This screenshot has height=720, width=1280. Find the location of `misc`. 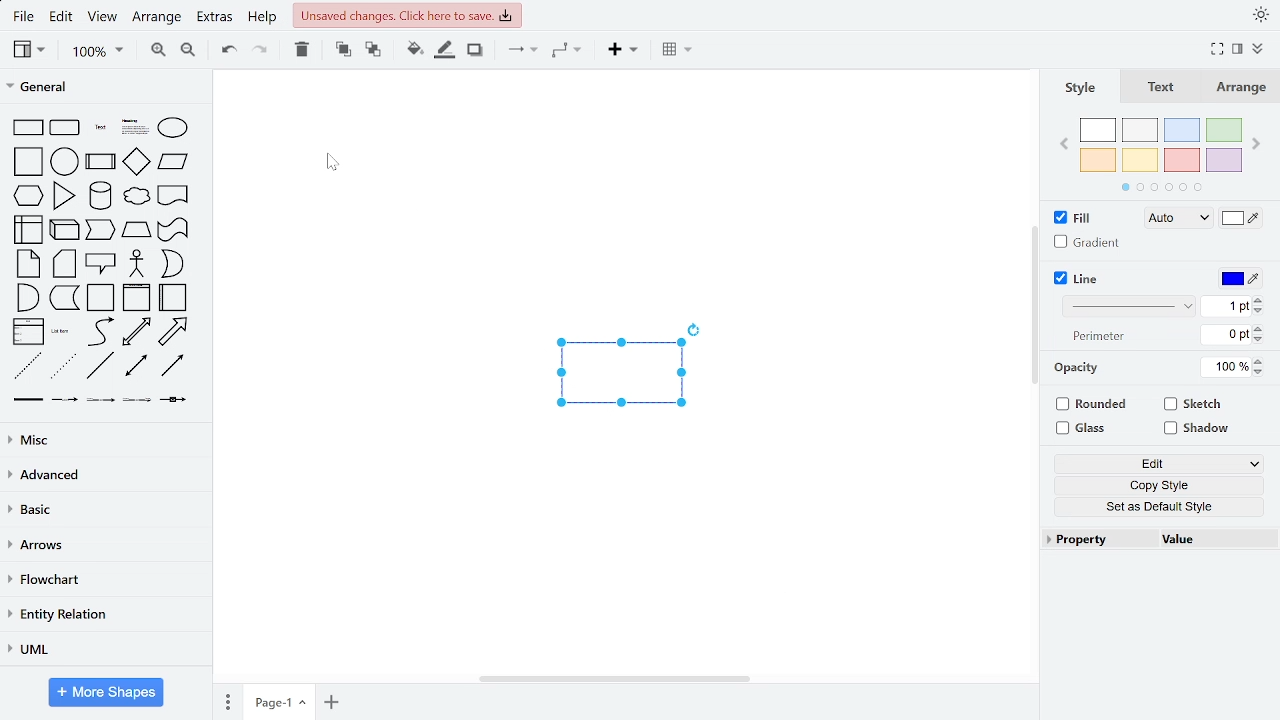

misc is located at coordinates (102, 439).